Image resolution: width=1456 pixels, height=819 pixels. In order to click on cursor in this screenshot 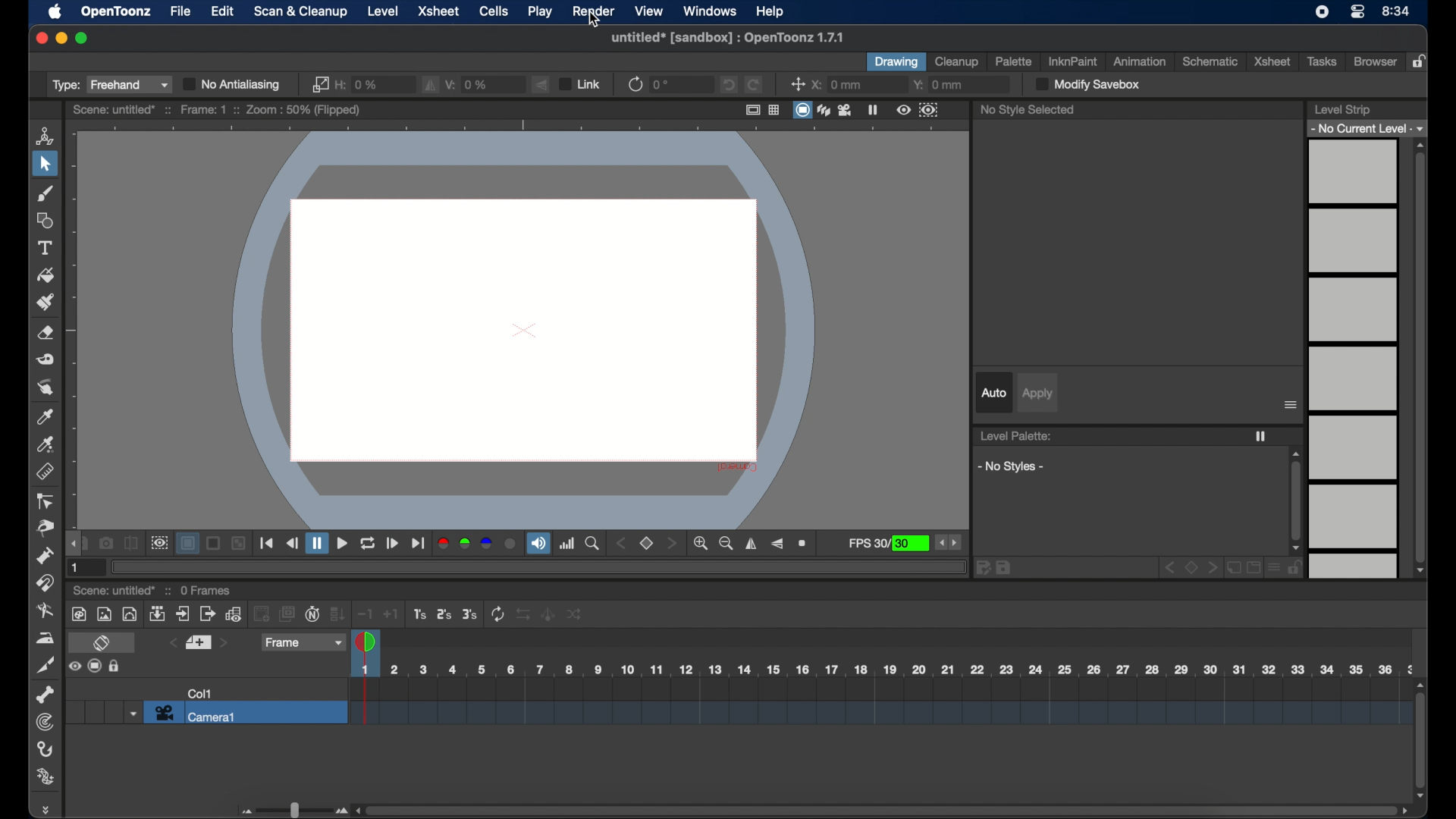, I will do `click(595, 21)`.